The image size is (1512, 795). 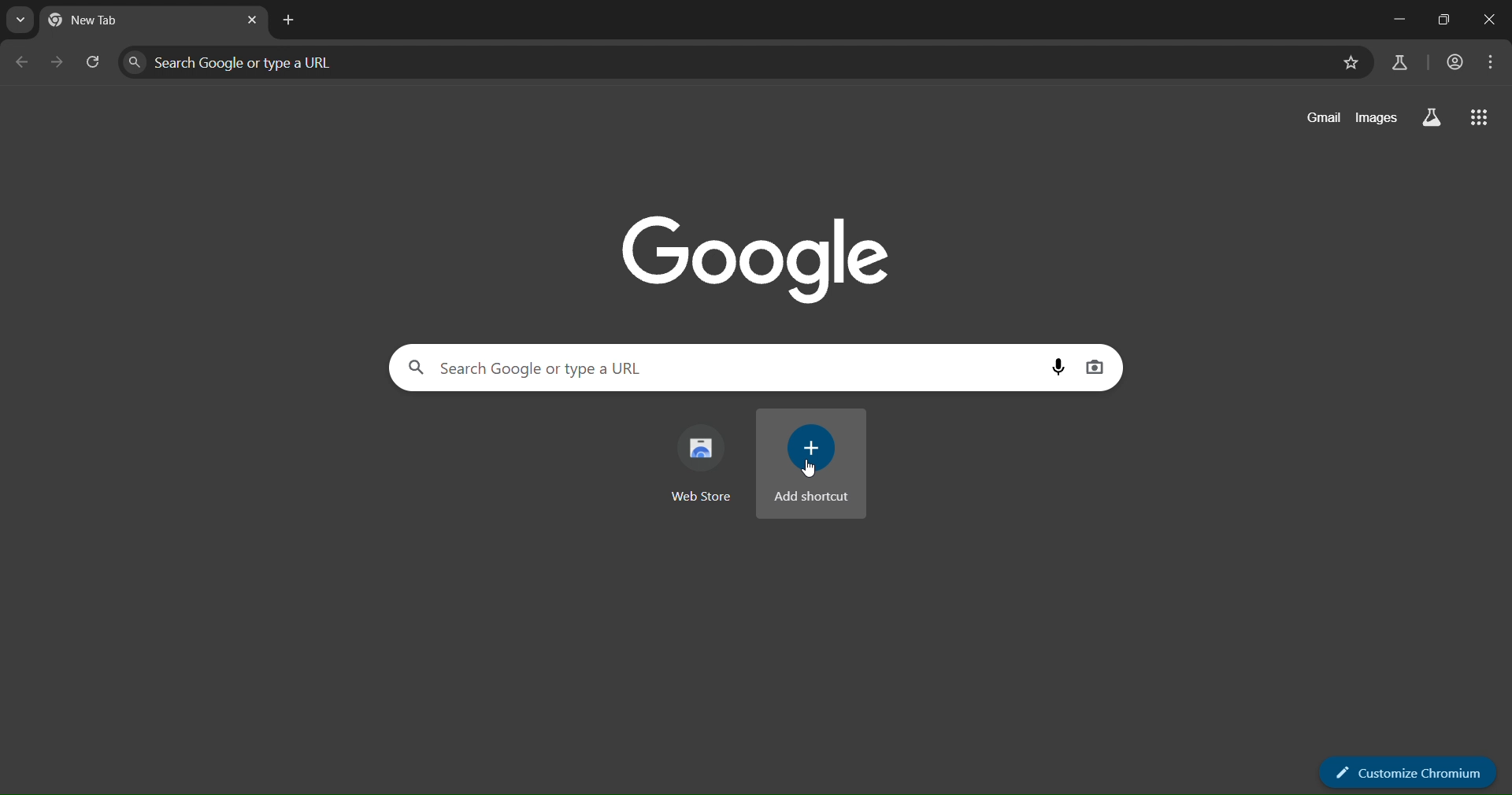 I want to click on new tab, so click(x=292, y=20).